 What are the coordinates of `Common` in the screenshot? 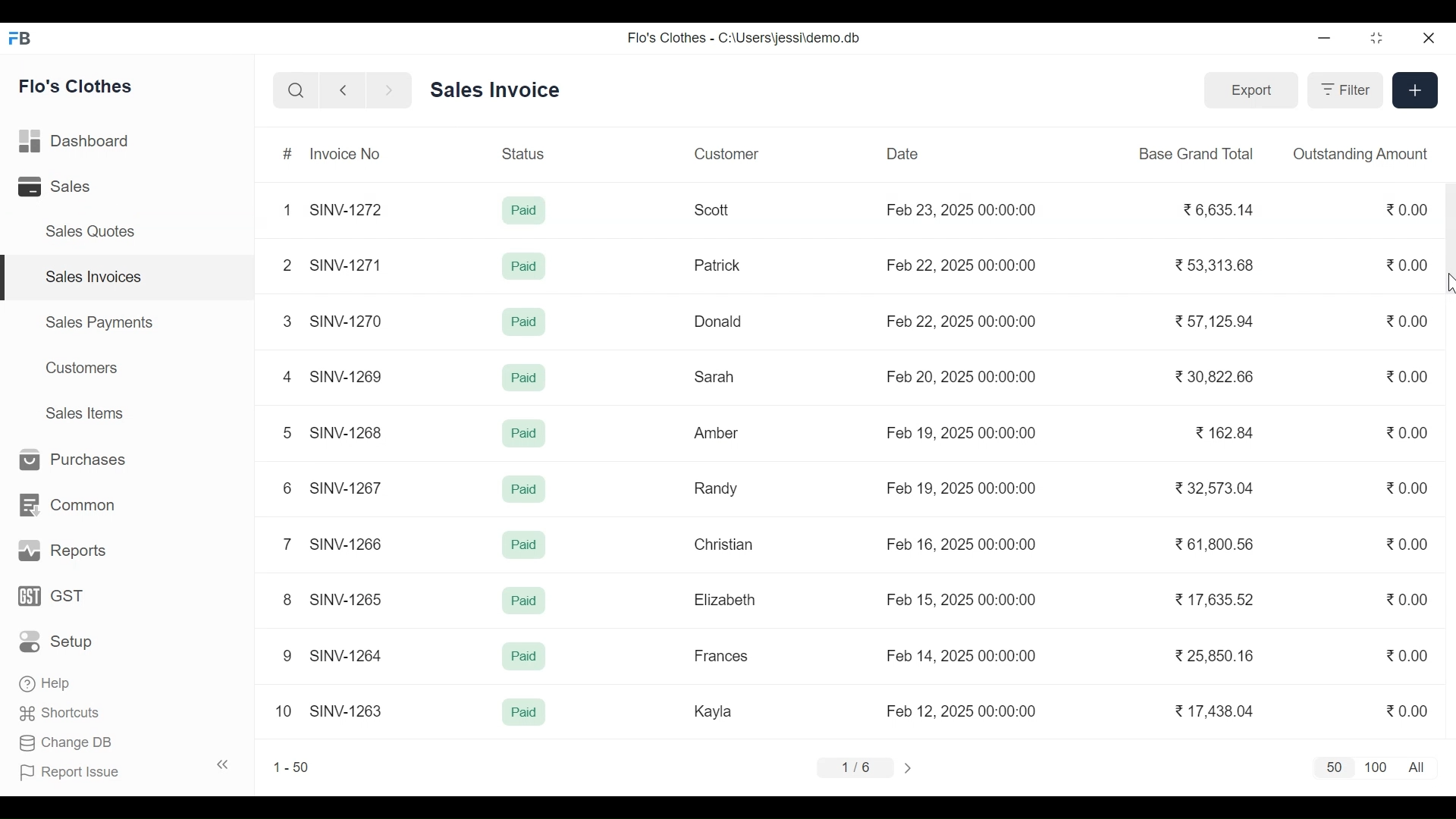 It's located at (64, 506).